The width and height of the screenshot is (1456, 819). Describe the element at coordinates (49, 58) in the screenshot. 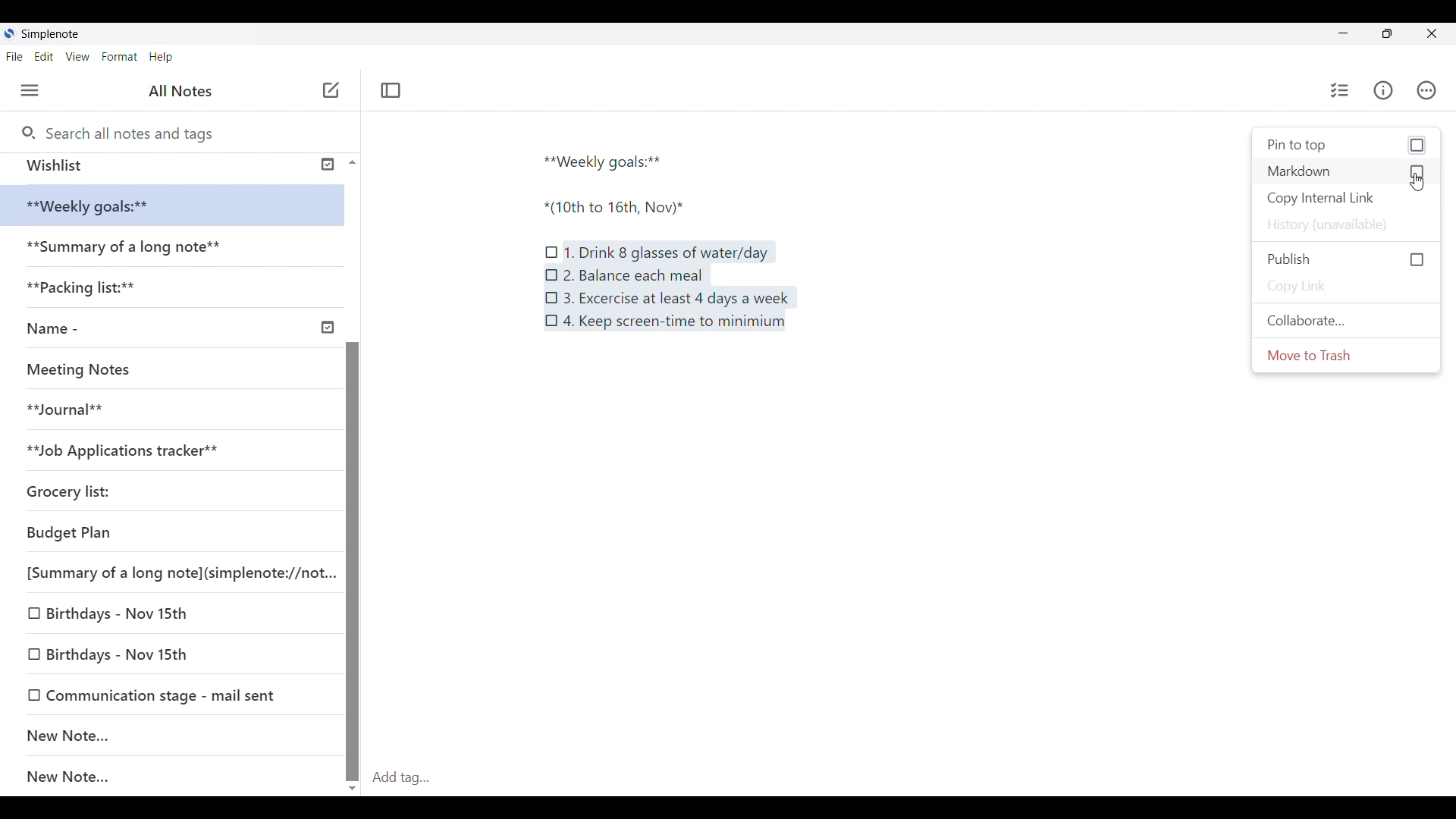

I see `Edit` at that location.